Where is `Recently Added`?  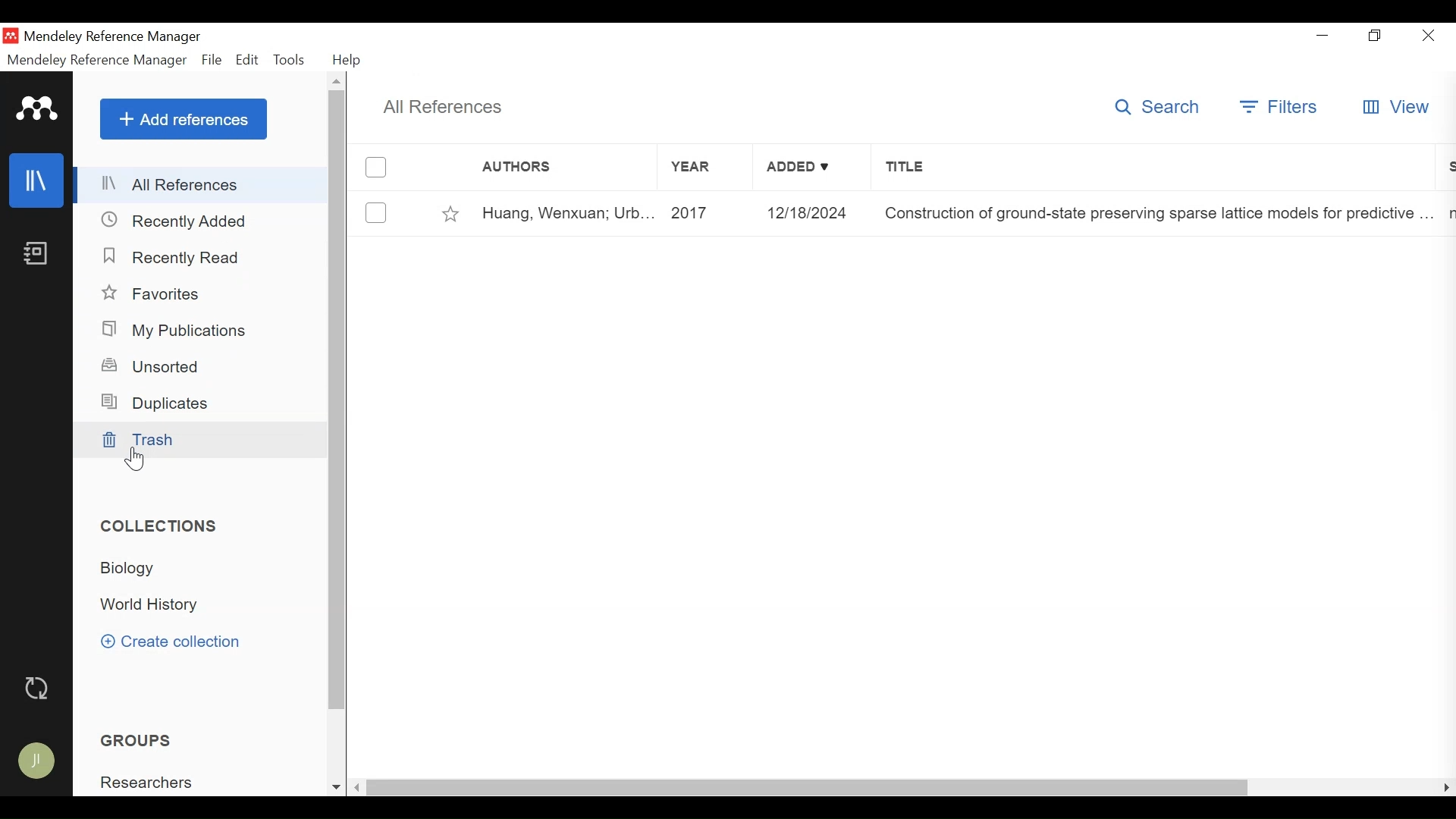
Recently Added is located at coordinates (180, 221).